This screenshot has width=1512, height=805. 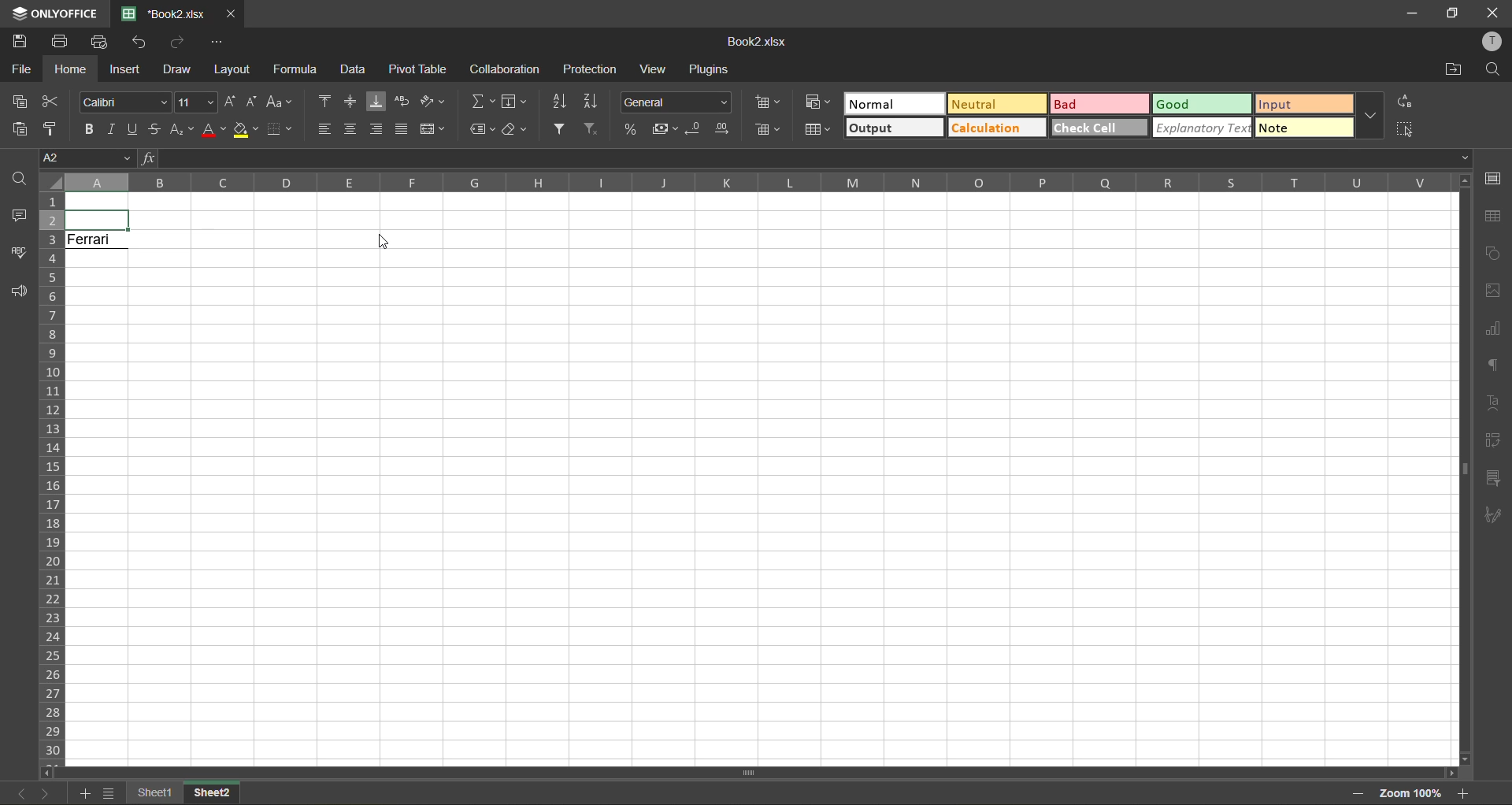 I want to click on fill color, so click(x=246, y=134).